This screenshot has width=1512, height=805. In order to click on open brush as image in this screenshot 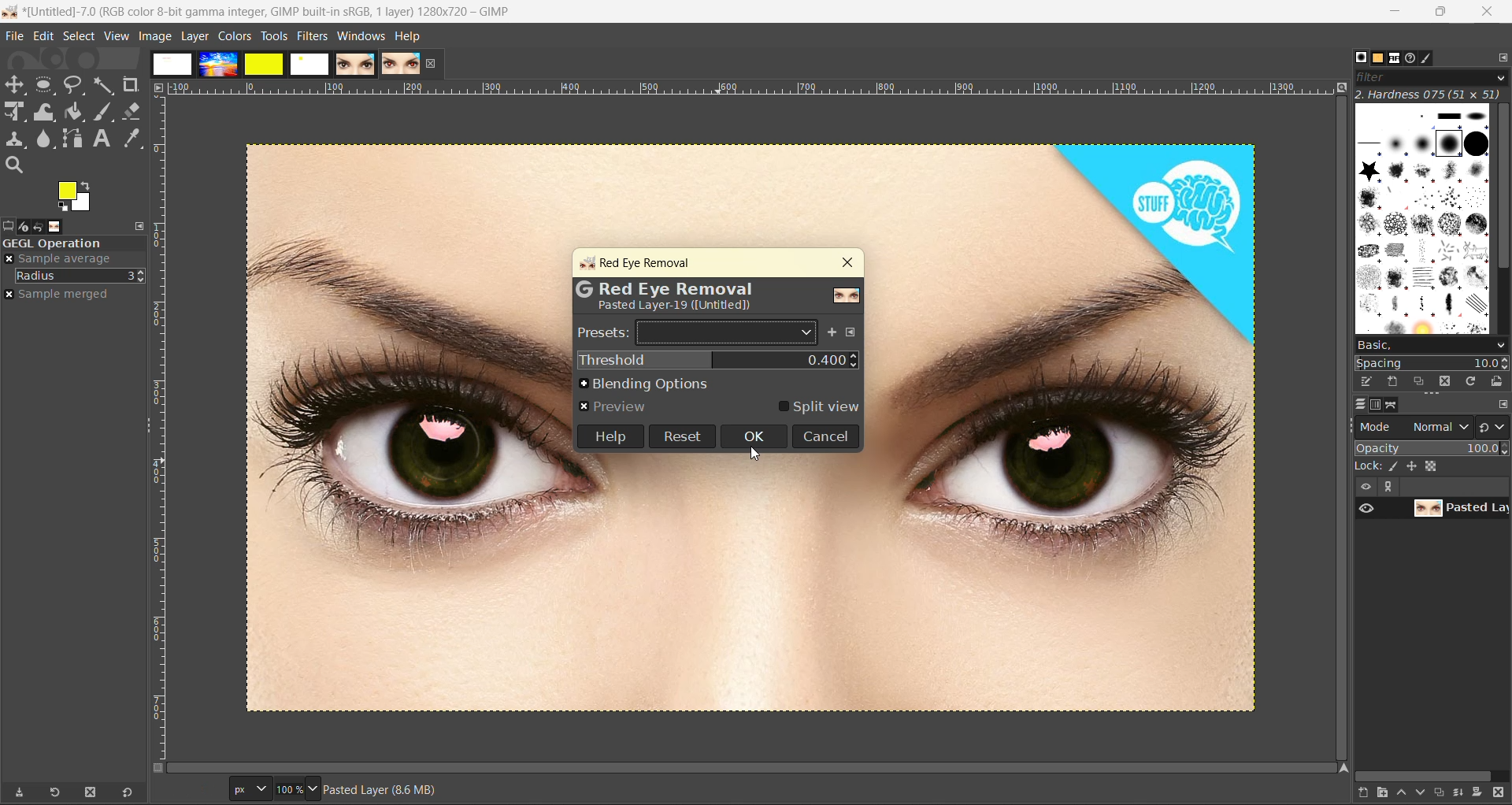, I will do `click(1497, 383)`.